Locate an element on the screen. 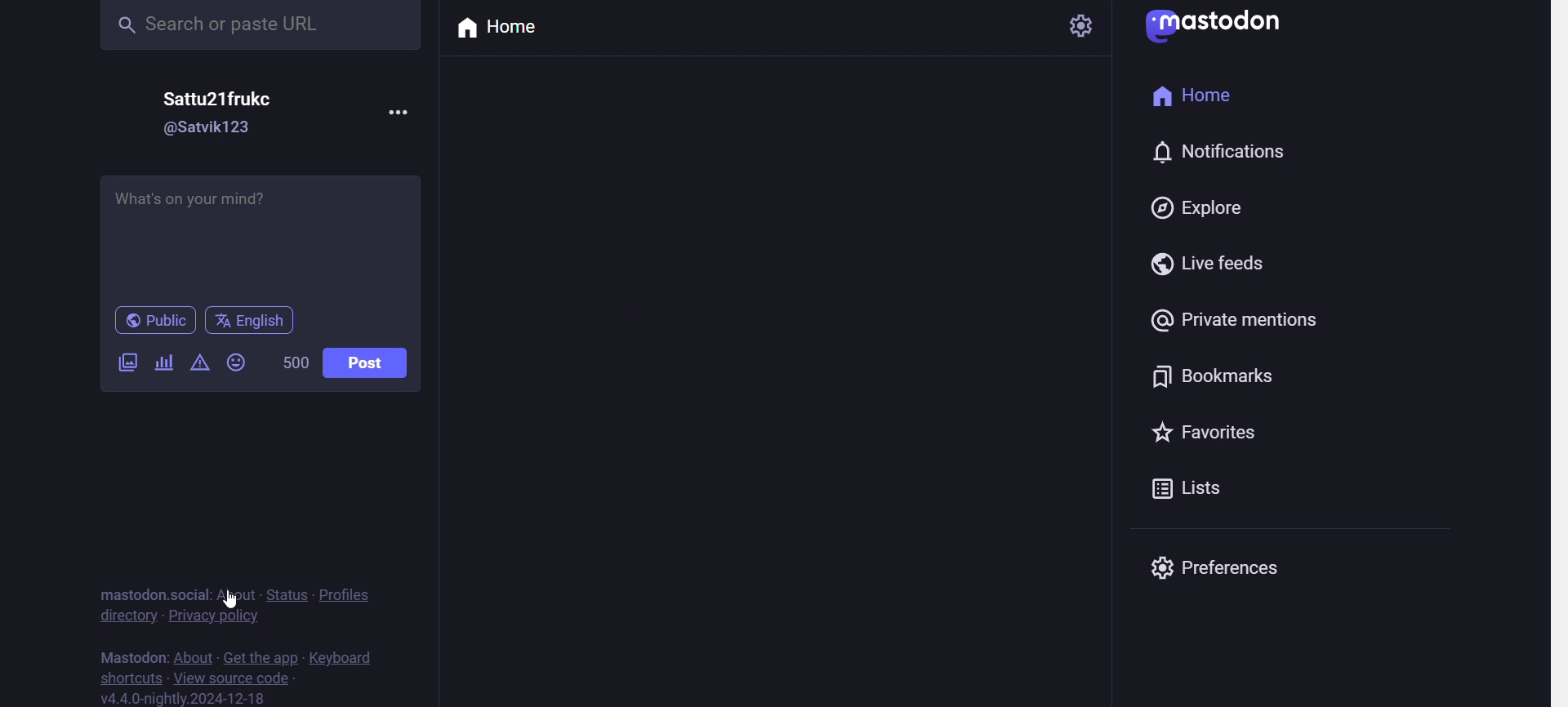 The width and height of the screenshot is (1568, 707). mastodon social is located at coordinates (150, 593).